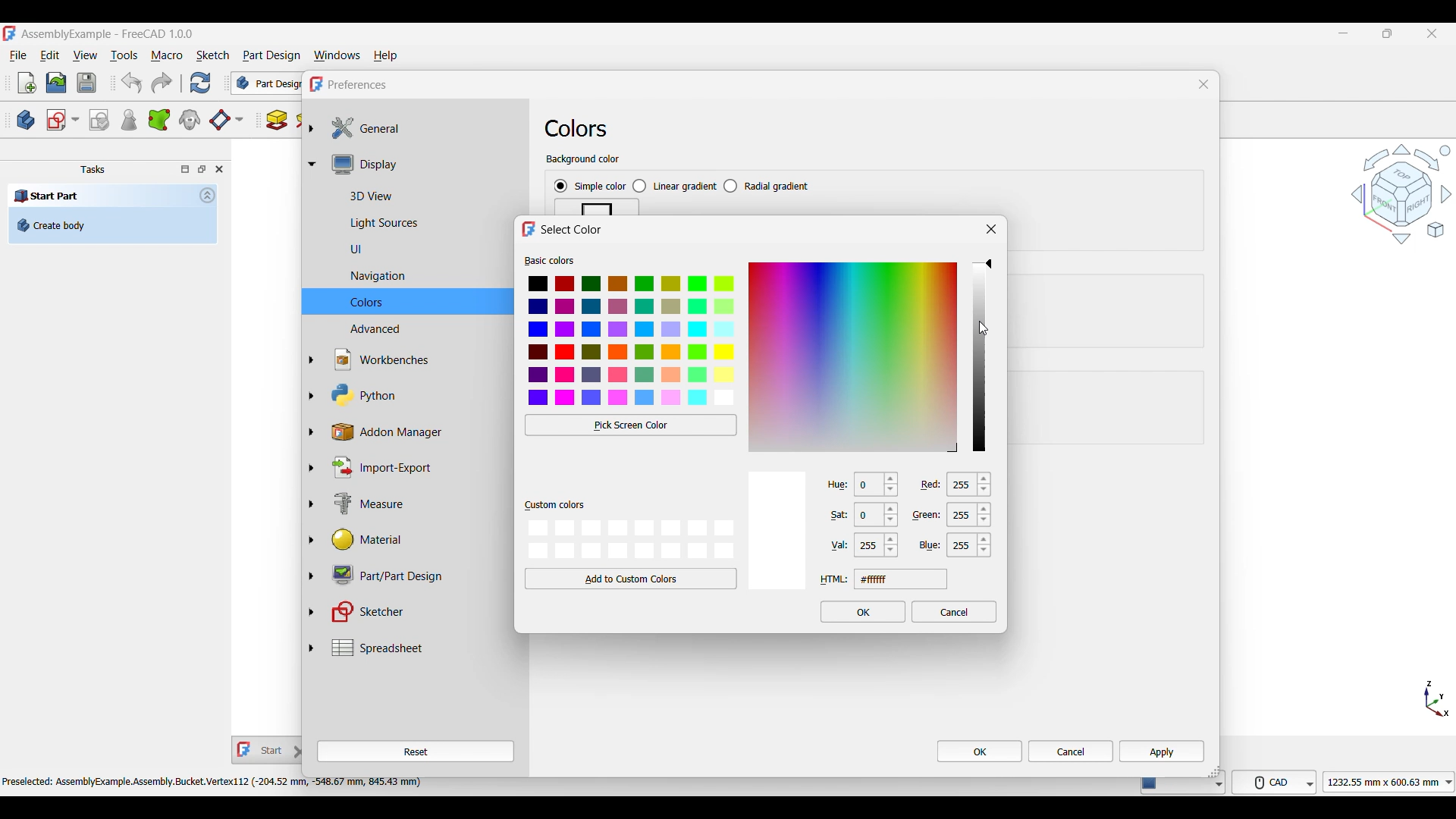 This screenshot has height=819, width=1456. What do you see at coordinates (86, 83) in the screenshot?
I see `Save` at bounding box center [86, 83].